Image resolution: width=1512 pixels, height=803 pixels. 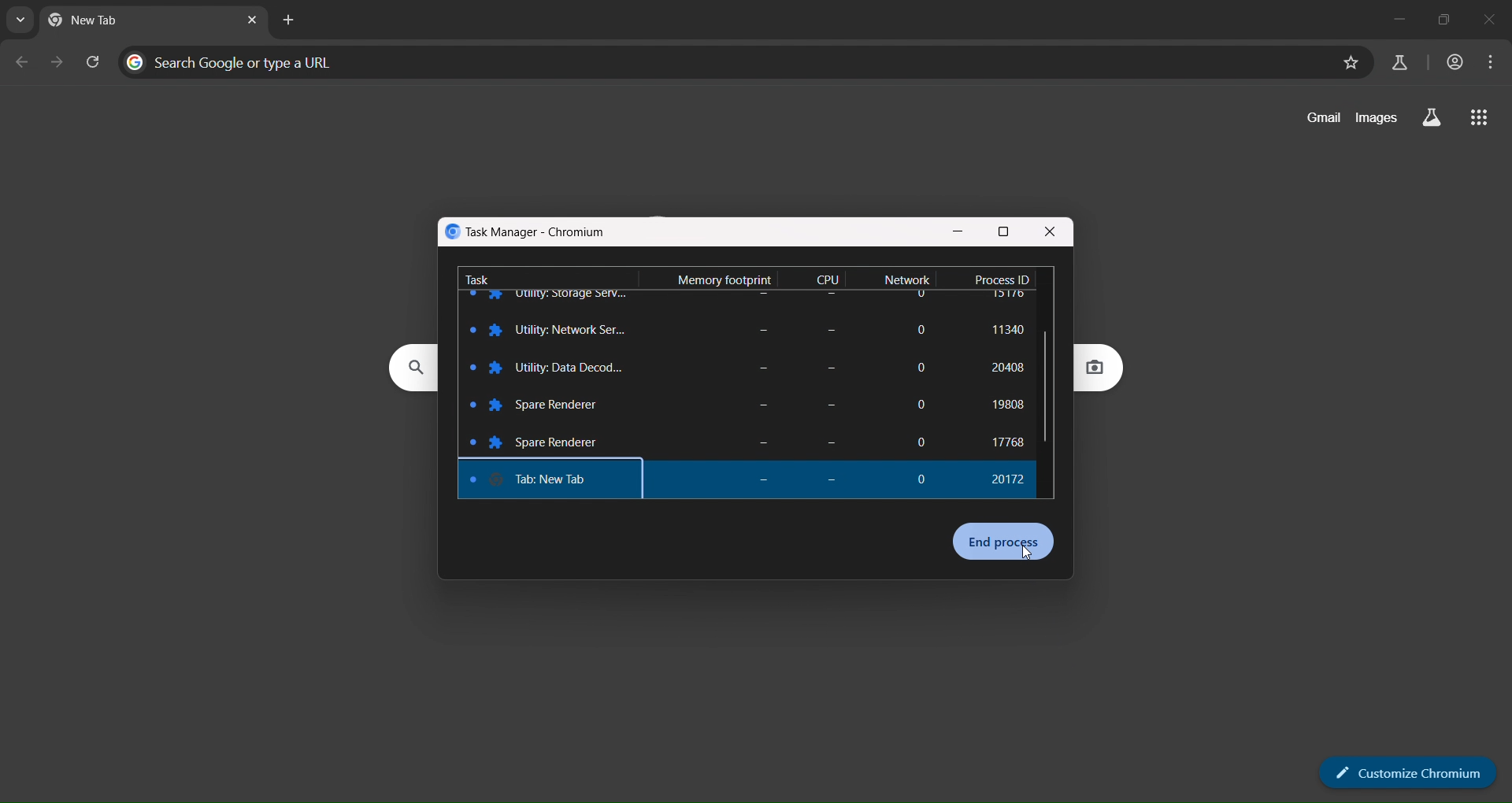 I want to click on current tab, so click(x=91, y=20).